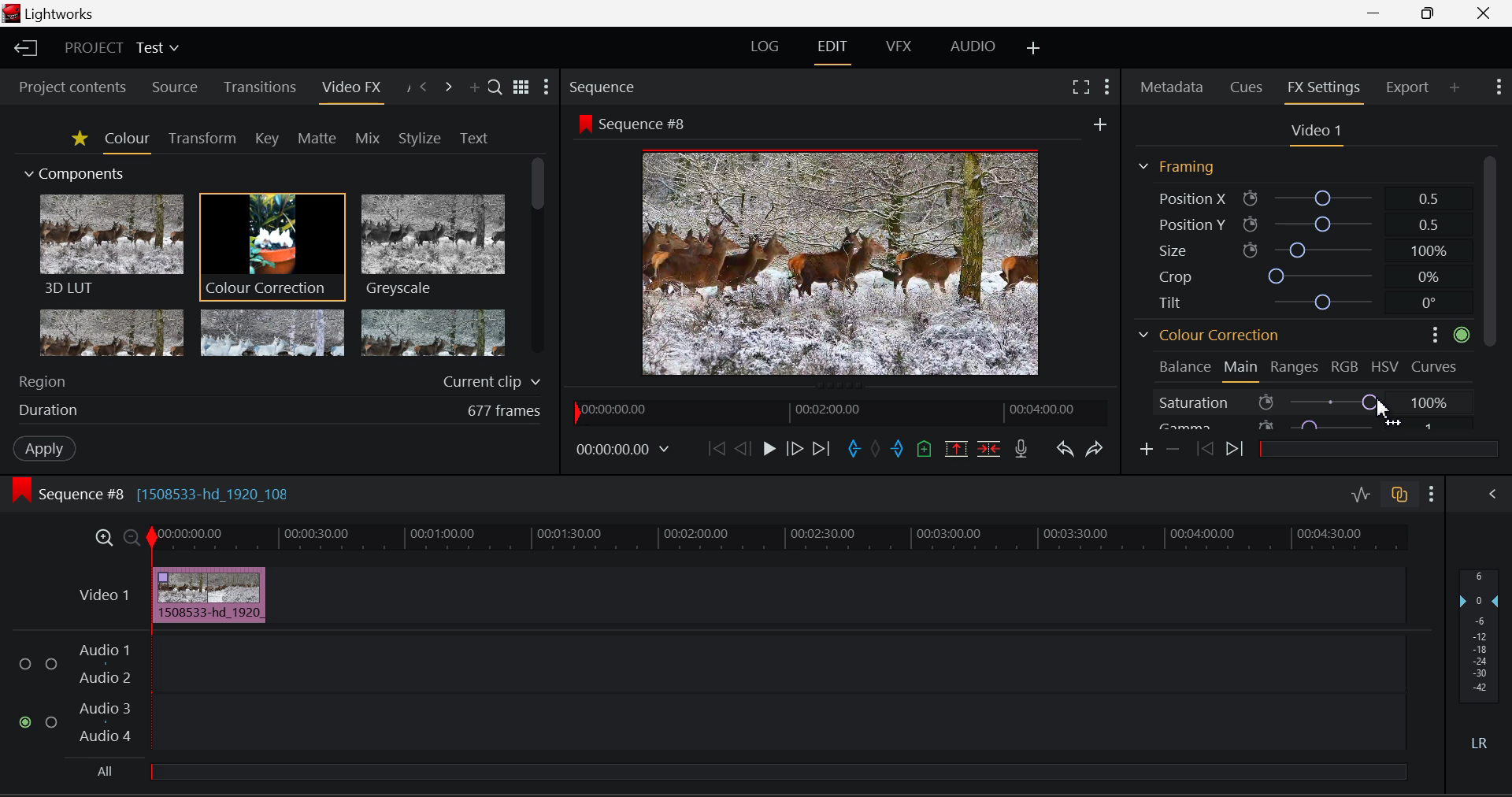 The width and height of the screenshot is (1512, 797). Describe the element at coordinates (51, 662) in the screenshot. I see `Audio Input Checkbox` at that location.